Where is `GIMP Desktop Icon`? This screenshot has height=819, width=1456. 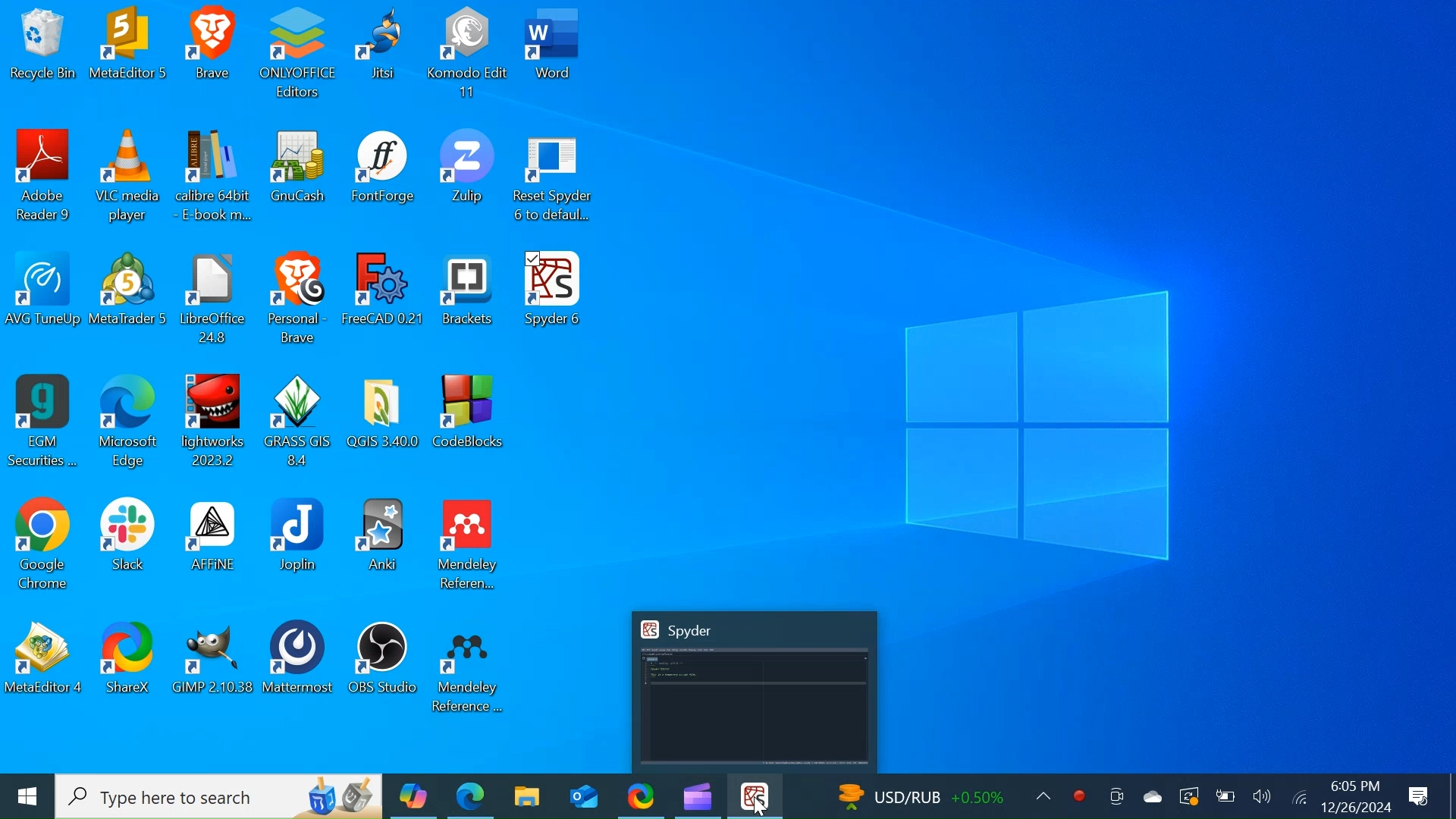 GIMP Desktop Icon is located at coordinates (210, 664).